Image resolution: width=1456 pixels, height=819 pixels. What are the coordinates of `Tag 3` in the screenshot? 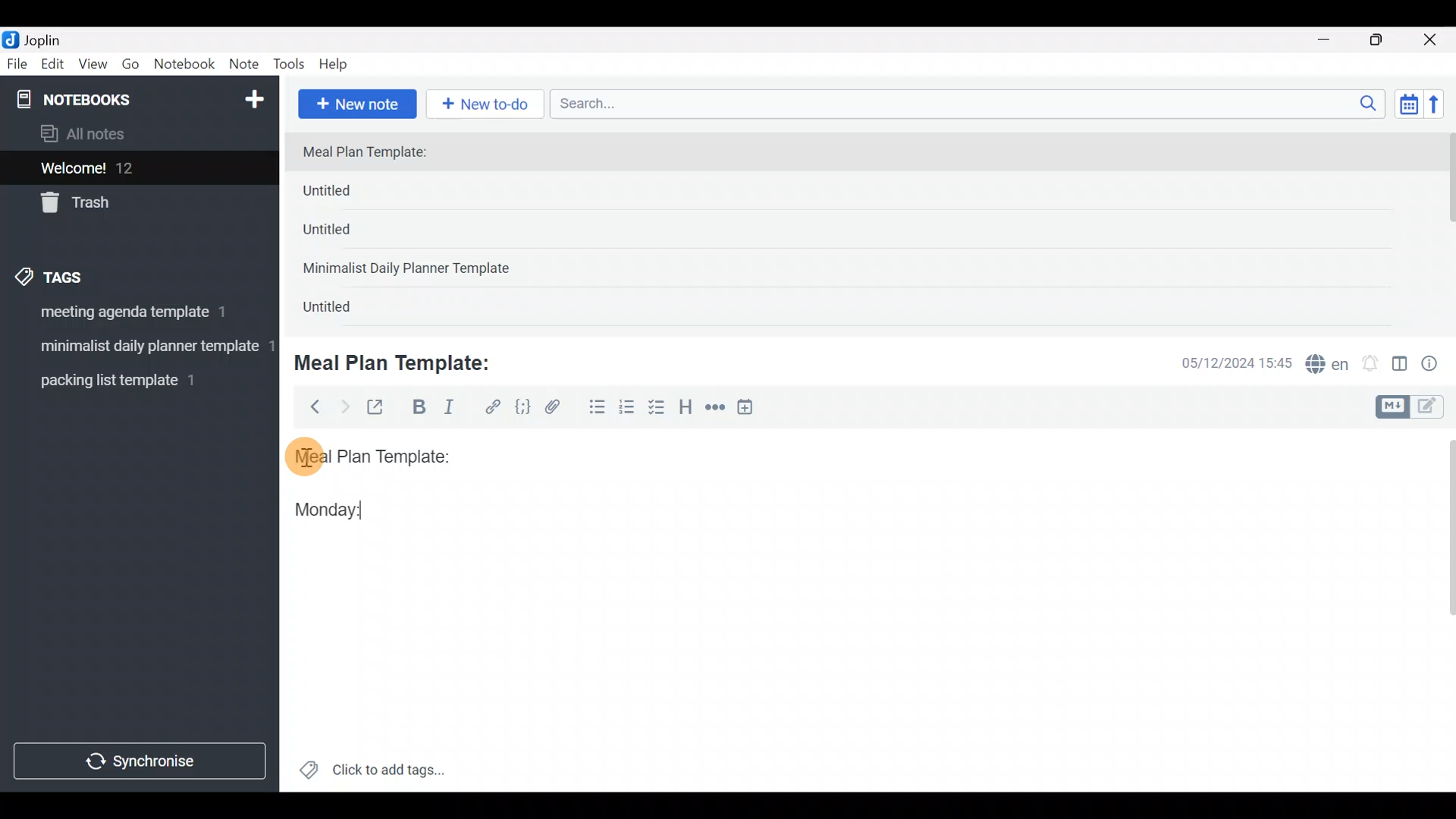 It's located at (134, 380).